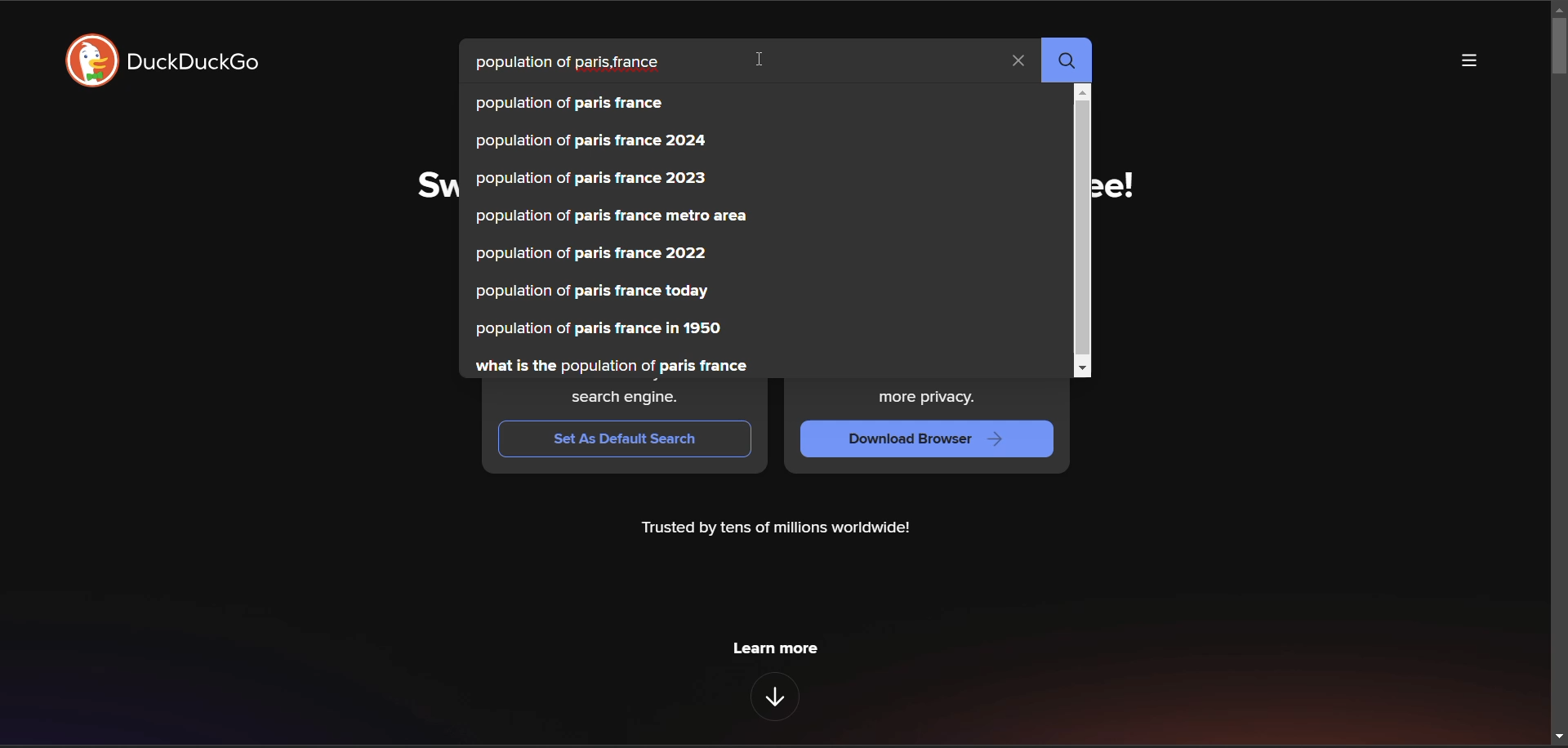 This screenshot has width=1568, height=748. What do you see at coordinates (759, 58) in the screenshot?
I see `cursor` at bounding box center [759, 58].